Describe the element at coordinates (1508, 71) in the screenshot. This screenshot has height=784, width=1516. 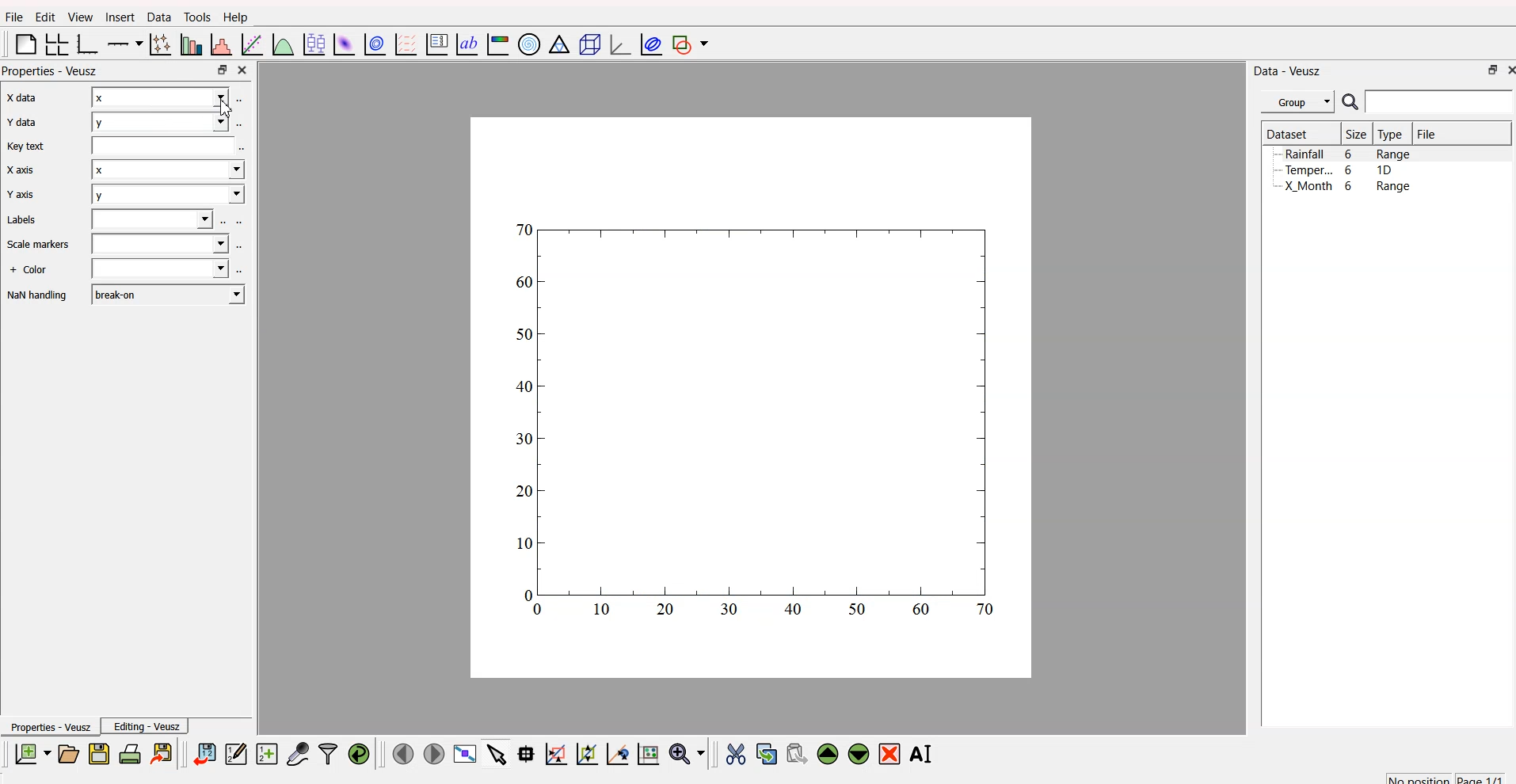
I see `close` at that location.